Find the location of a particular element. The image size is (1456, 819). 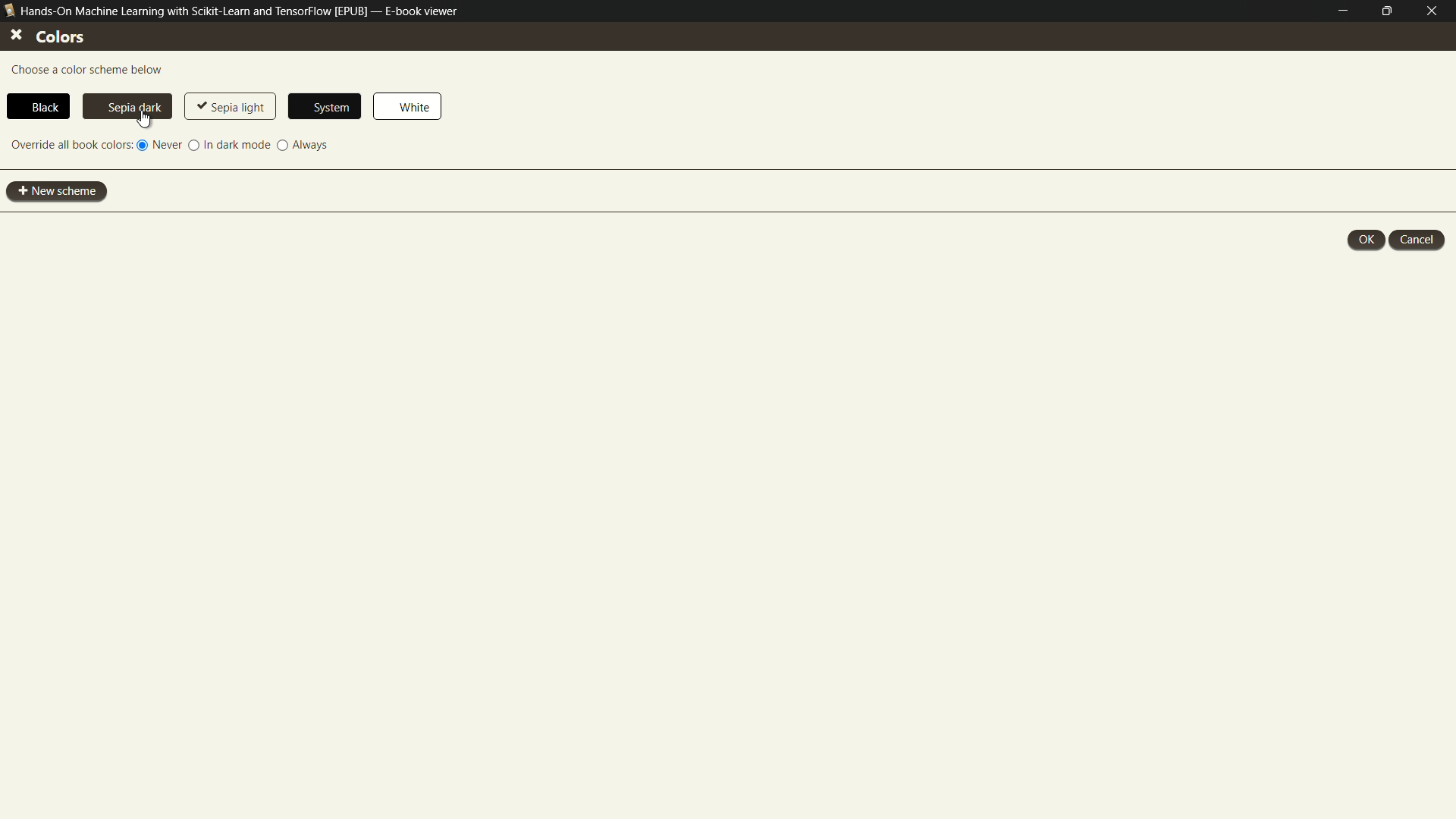

cursor is located at coordinates (143, 123).